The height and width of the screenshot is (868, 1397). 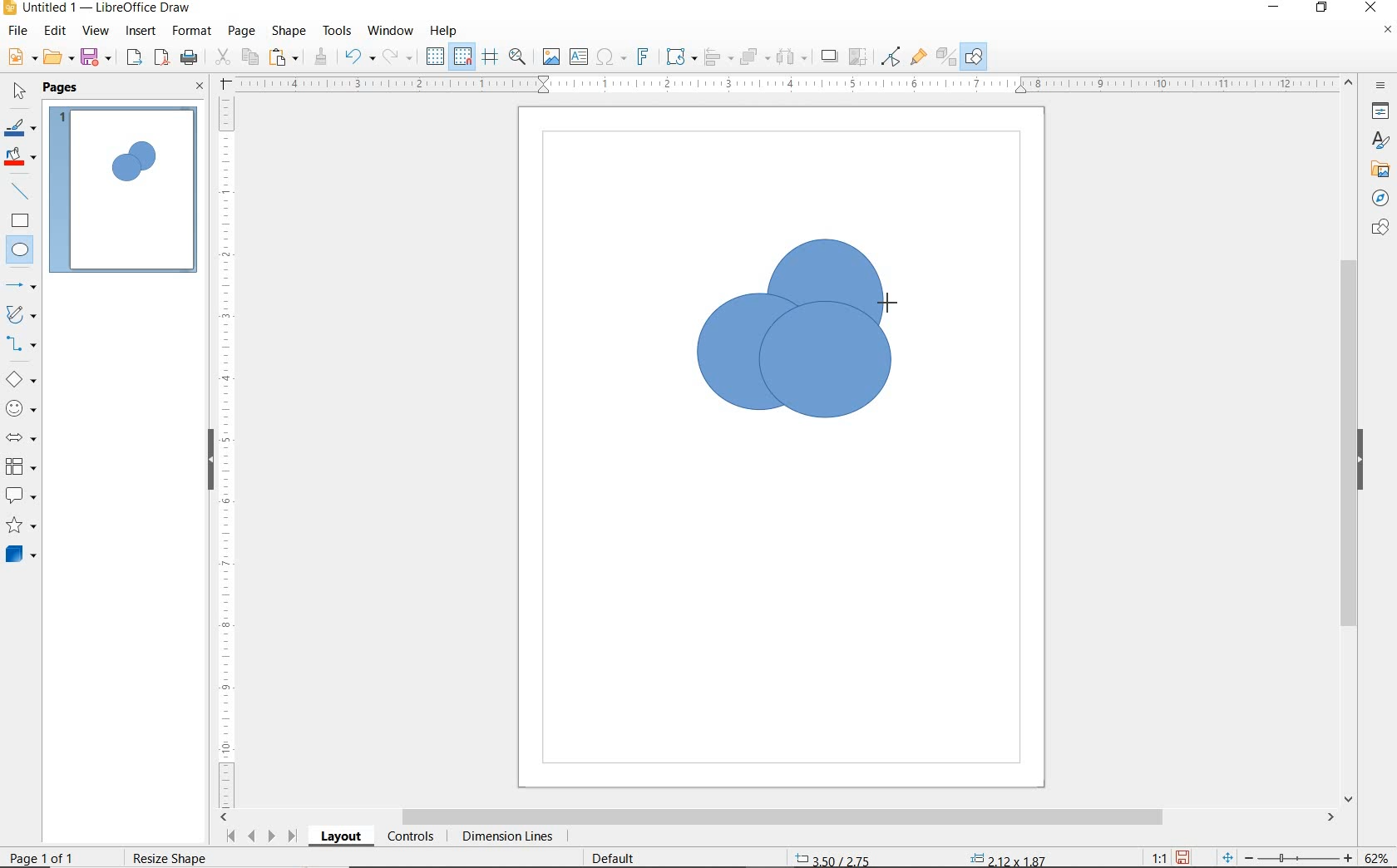 I want to click on ZOOM FACTOR, so click(x=1377, y=855).